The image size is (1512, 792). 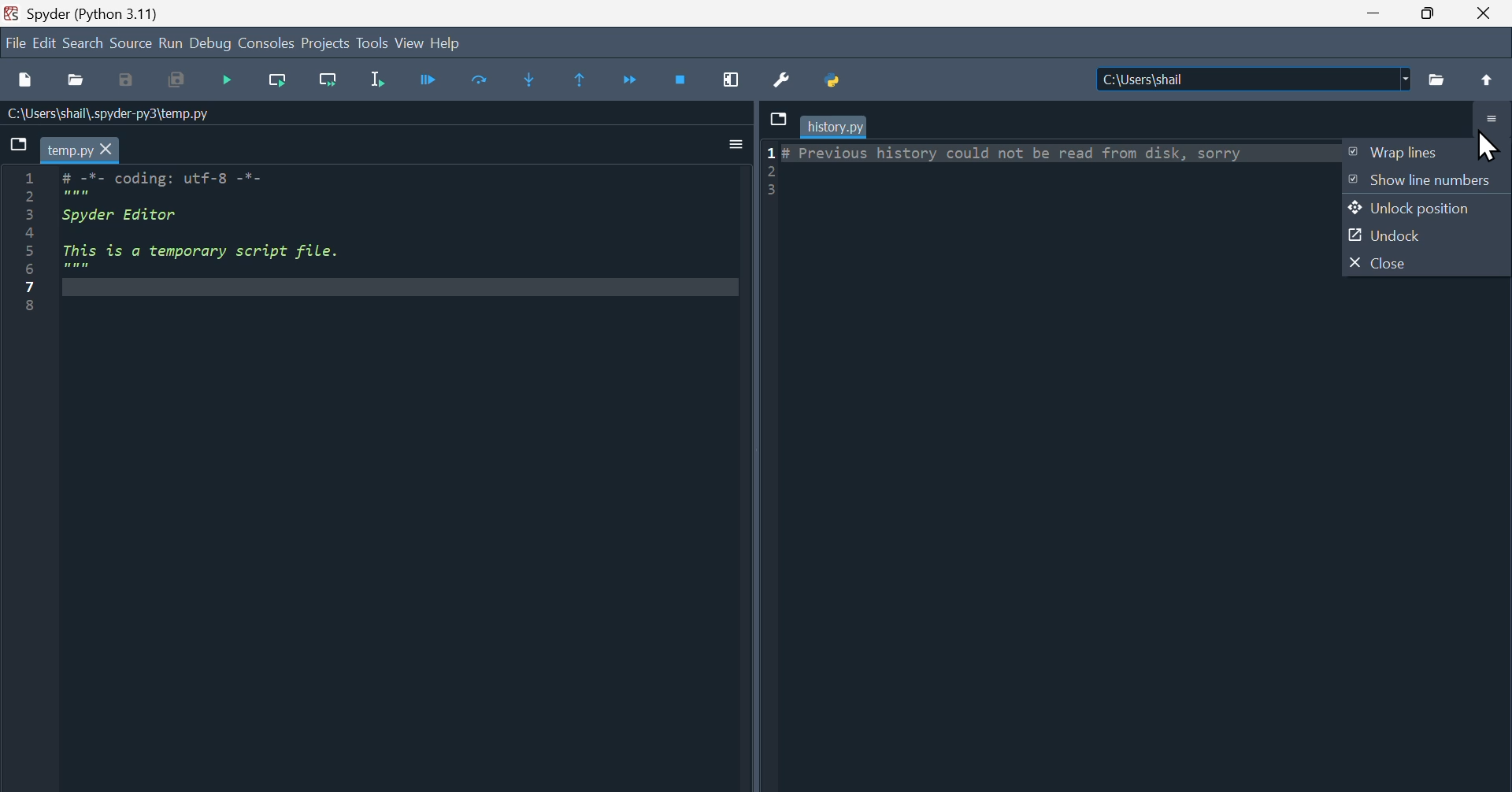 What do you see at coordinates (31, 244) in the screenshot?
I see `1 2 3 4 5 6 7 8 ` at bounding box center [31, 244].